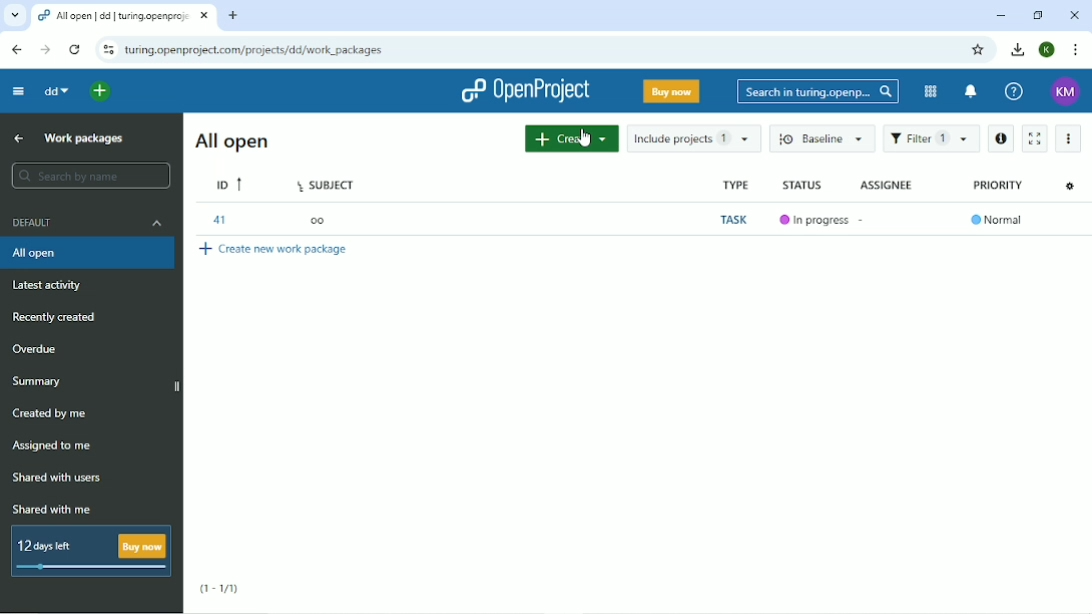 This screenshot has height=614, width=1092. Describe the element at coordinates (317, 219) in the screenshot. I see `oo` at that location.